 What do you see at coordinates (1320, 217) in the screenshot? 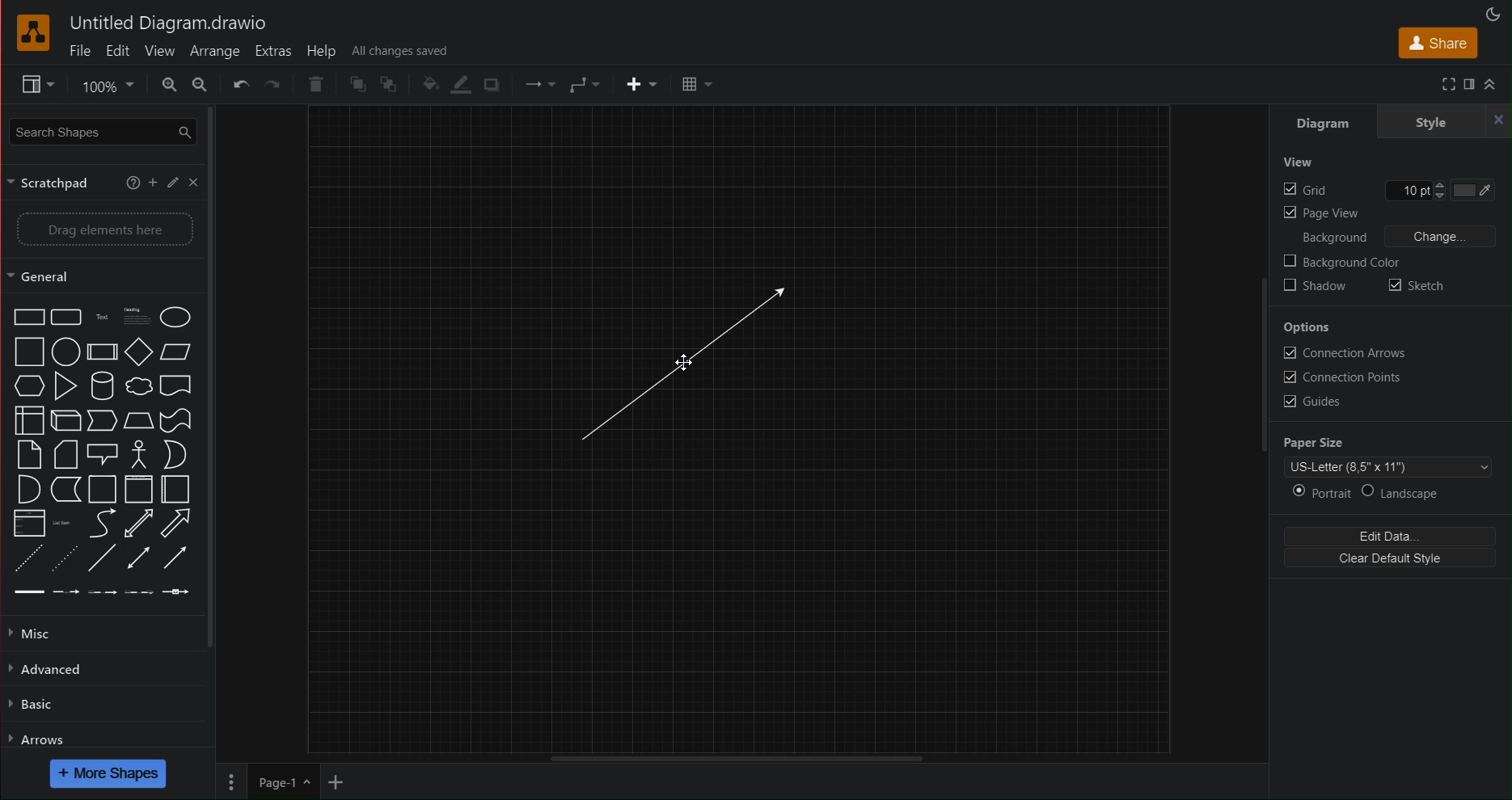
I see `Page View` at bounding box center [1320, 217].